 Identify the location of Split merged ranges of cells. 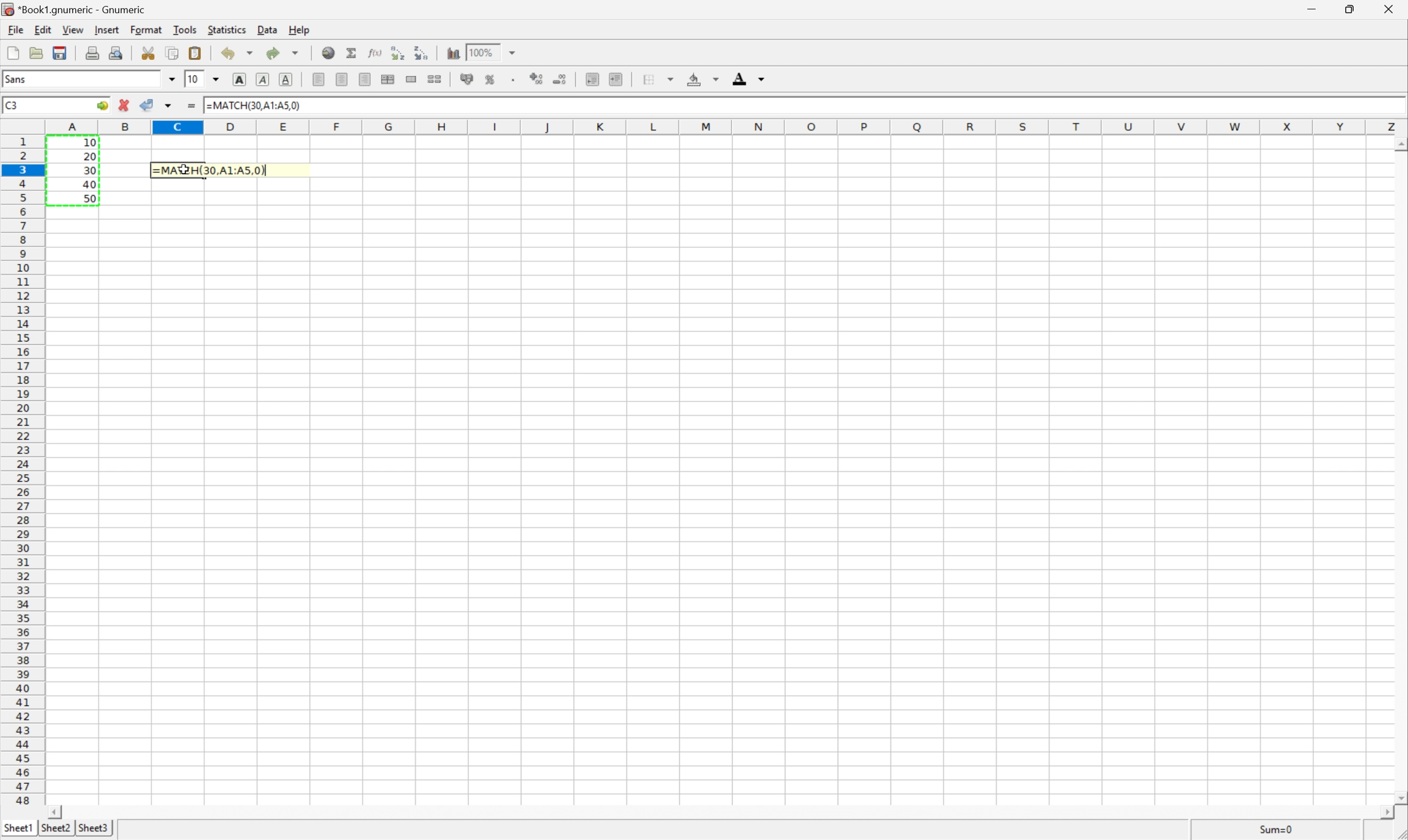
(438, 77).